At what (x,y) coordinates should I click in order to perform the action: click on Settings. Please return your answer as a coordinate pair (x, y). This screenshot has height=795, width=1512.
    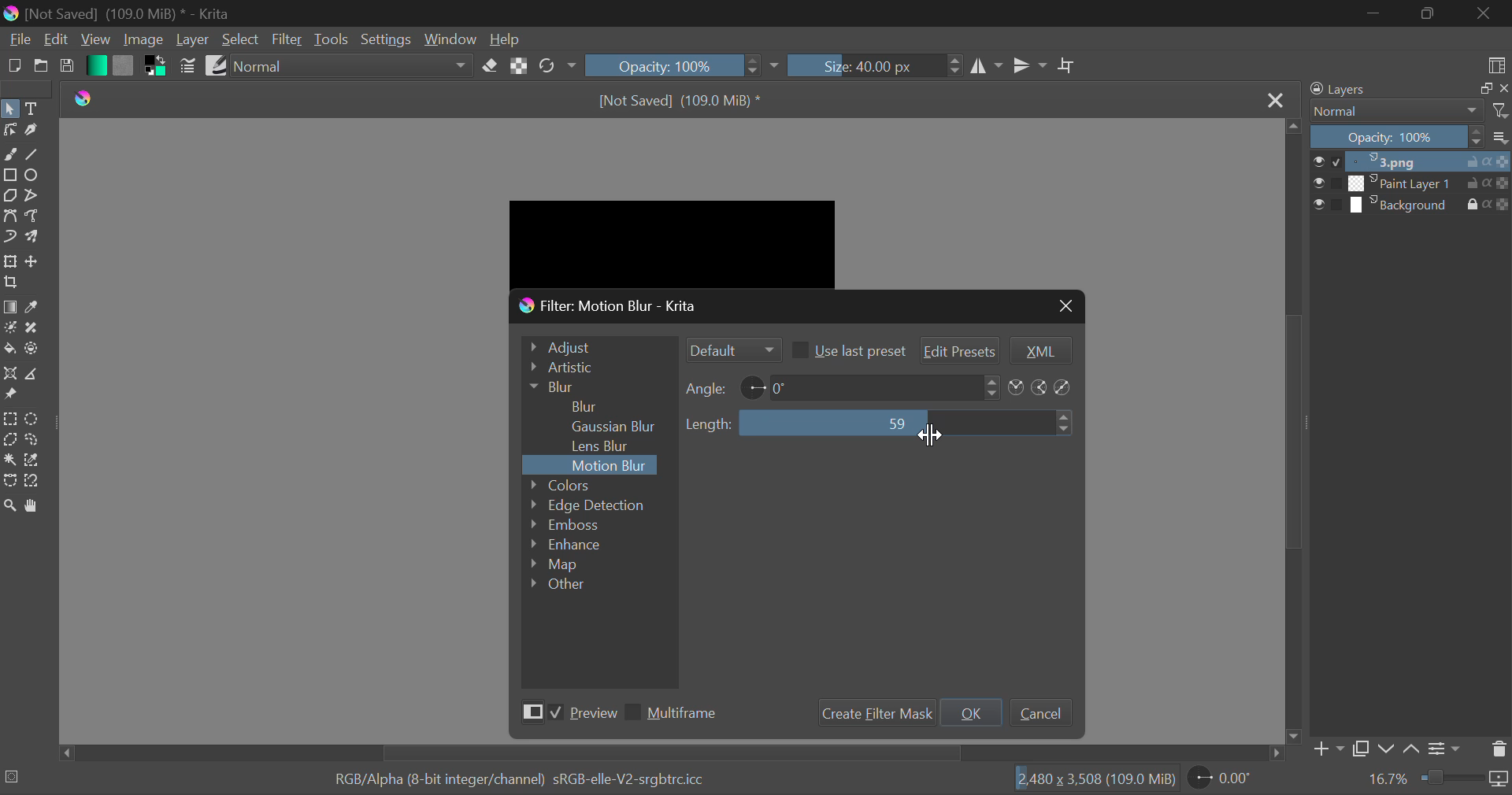
    Looking at the image, I should click on (384, 38).